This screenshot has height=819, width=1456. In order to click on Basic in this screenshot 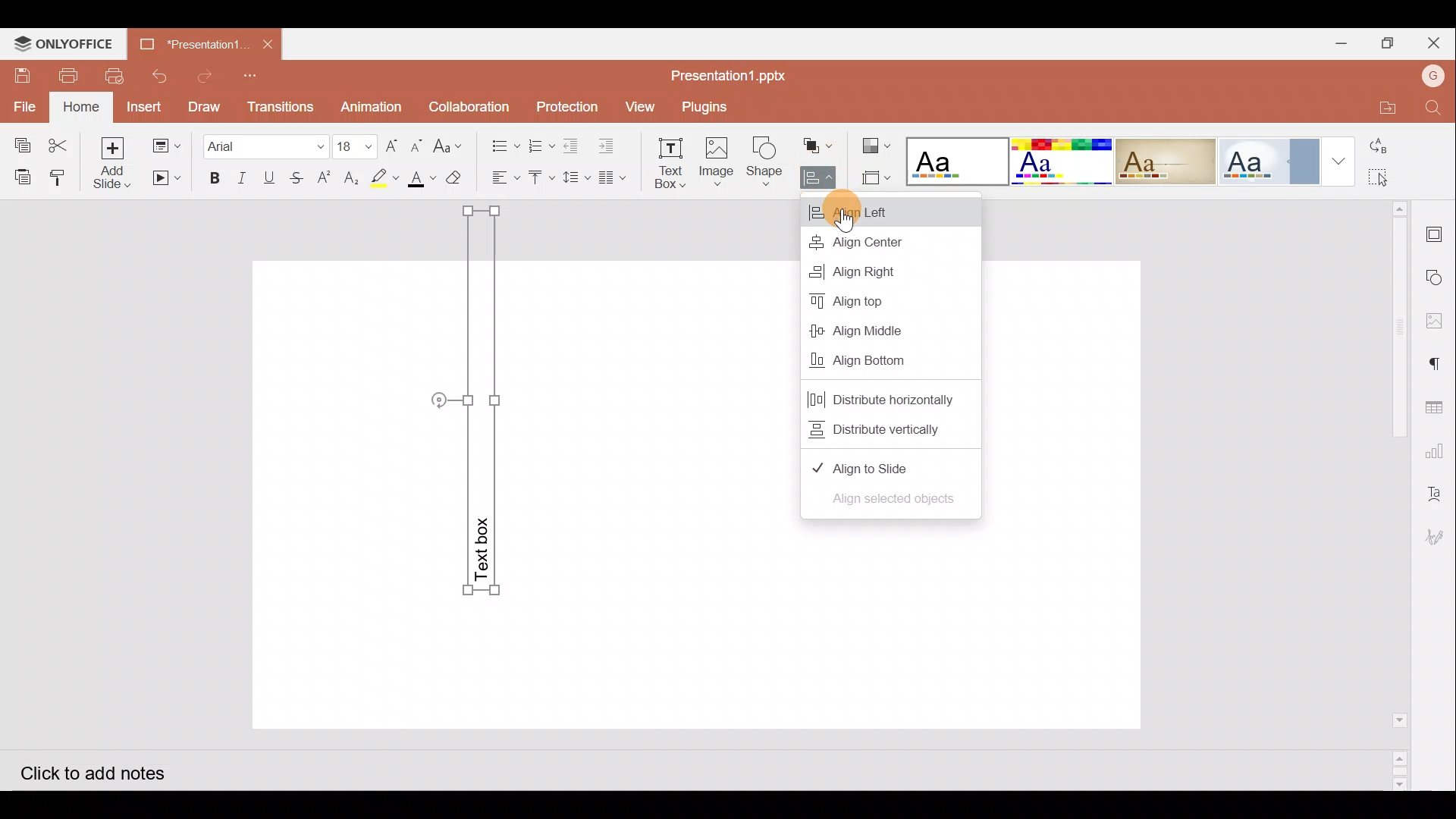, I will do `click(1057, 160)`.